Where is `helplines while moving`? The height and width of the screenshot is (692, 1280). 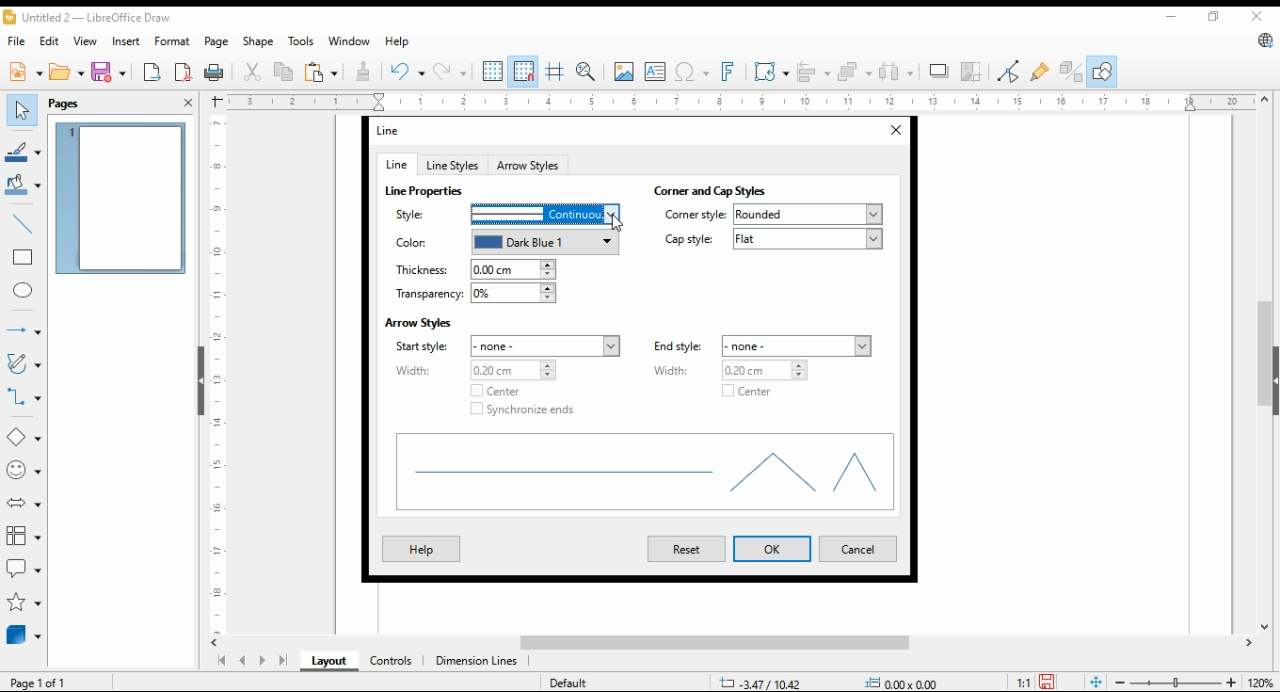
helplines while moving is located at coordinates (557, 71).